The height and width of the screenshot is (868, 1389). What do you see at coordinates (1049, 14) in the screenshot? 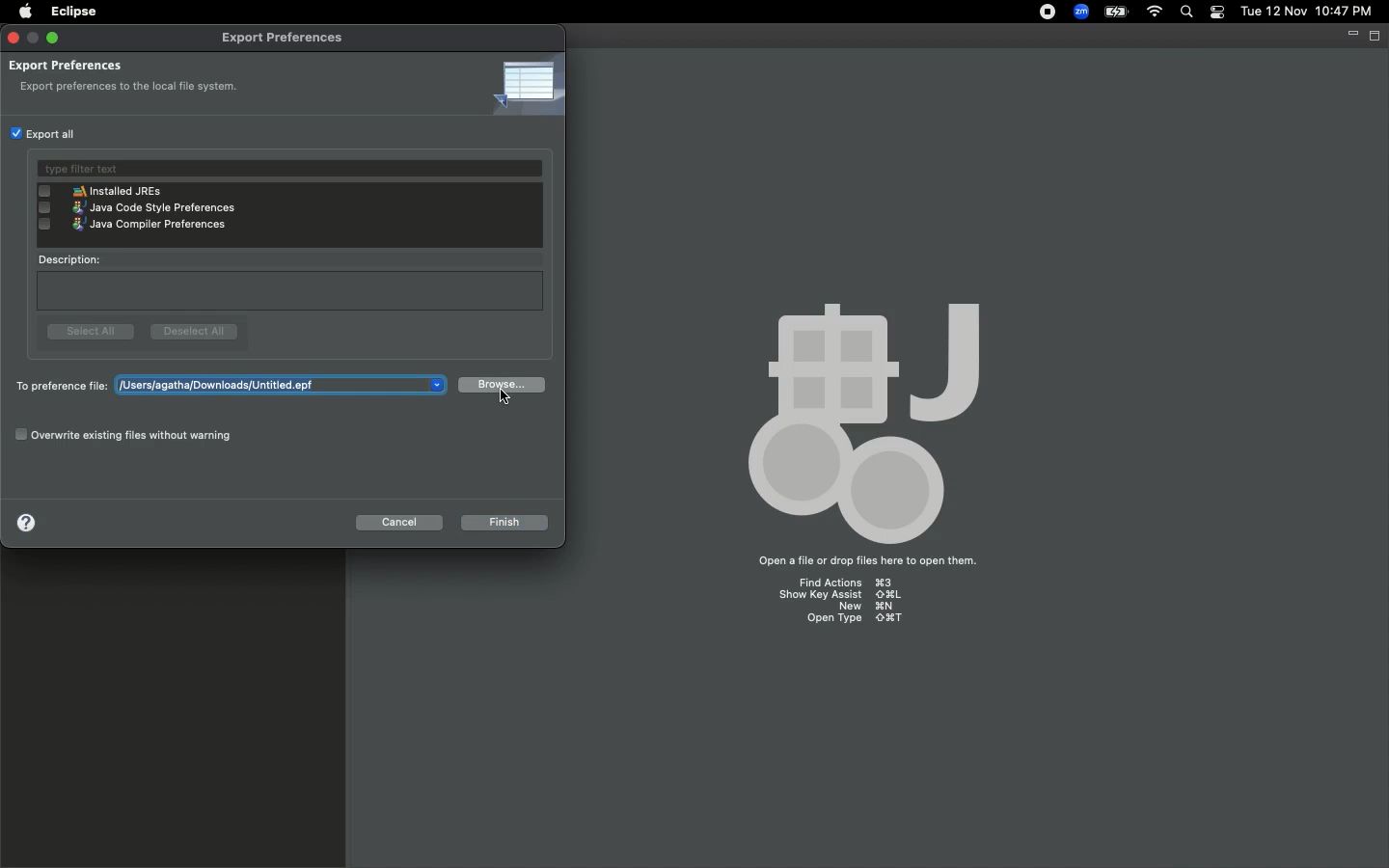
I see `Recording` at bounding box center [1049, 14].